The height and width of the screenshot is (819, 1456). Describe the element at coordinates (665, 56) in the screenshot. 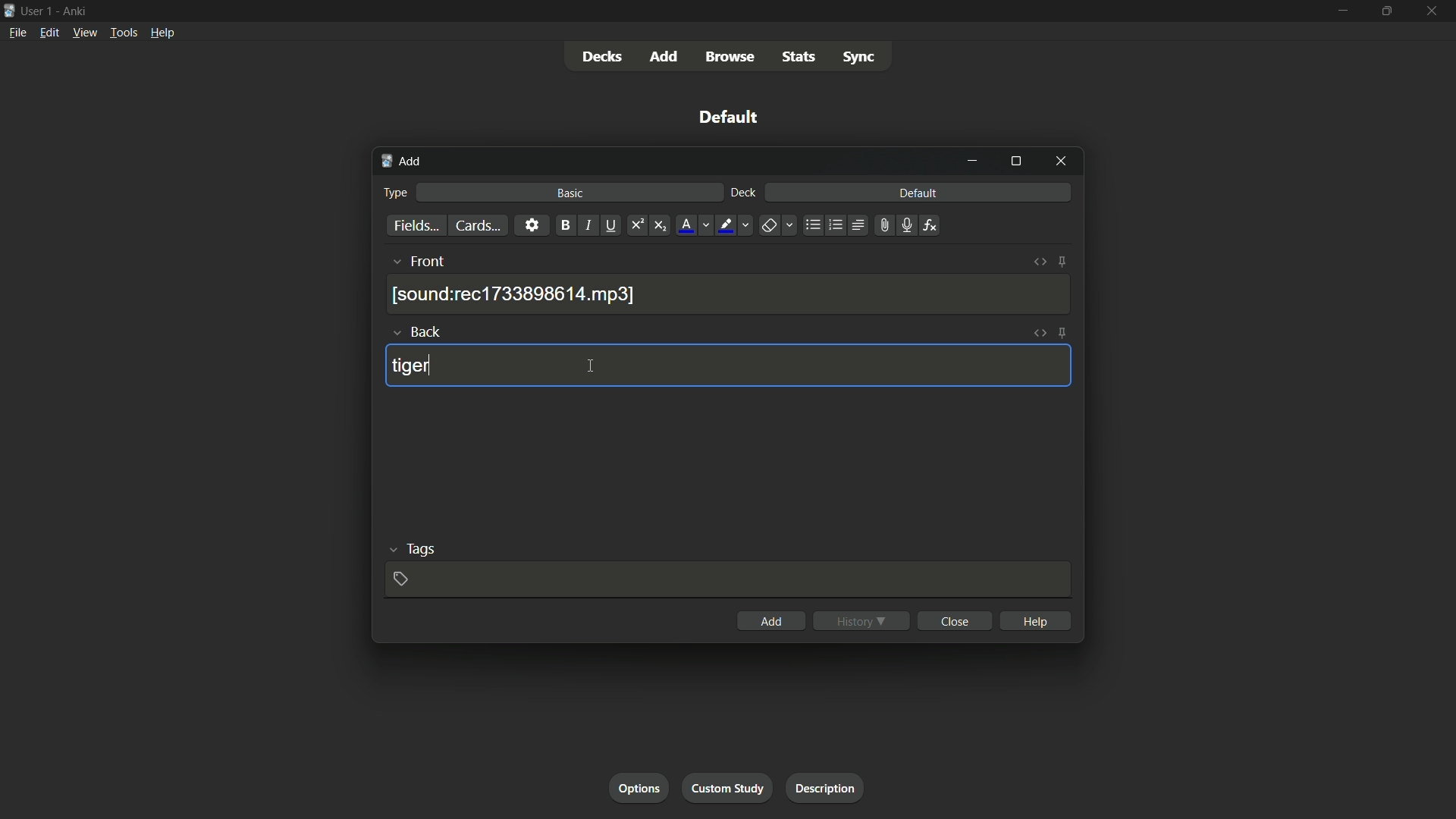

I see `add` at that location.